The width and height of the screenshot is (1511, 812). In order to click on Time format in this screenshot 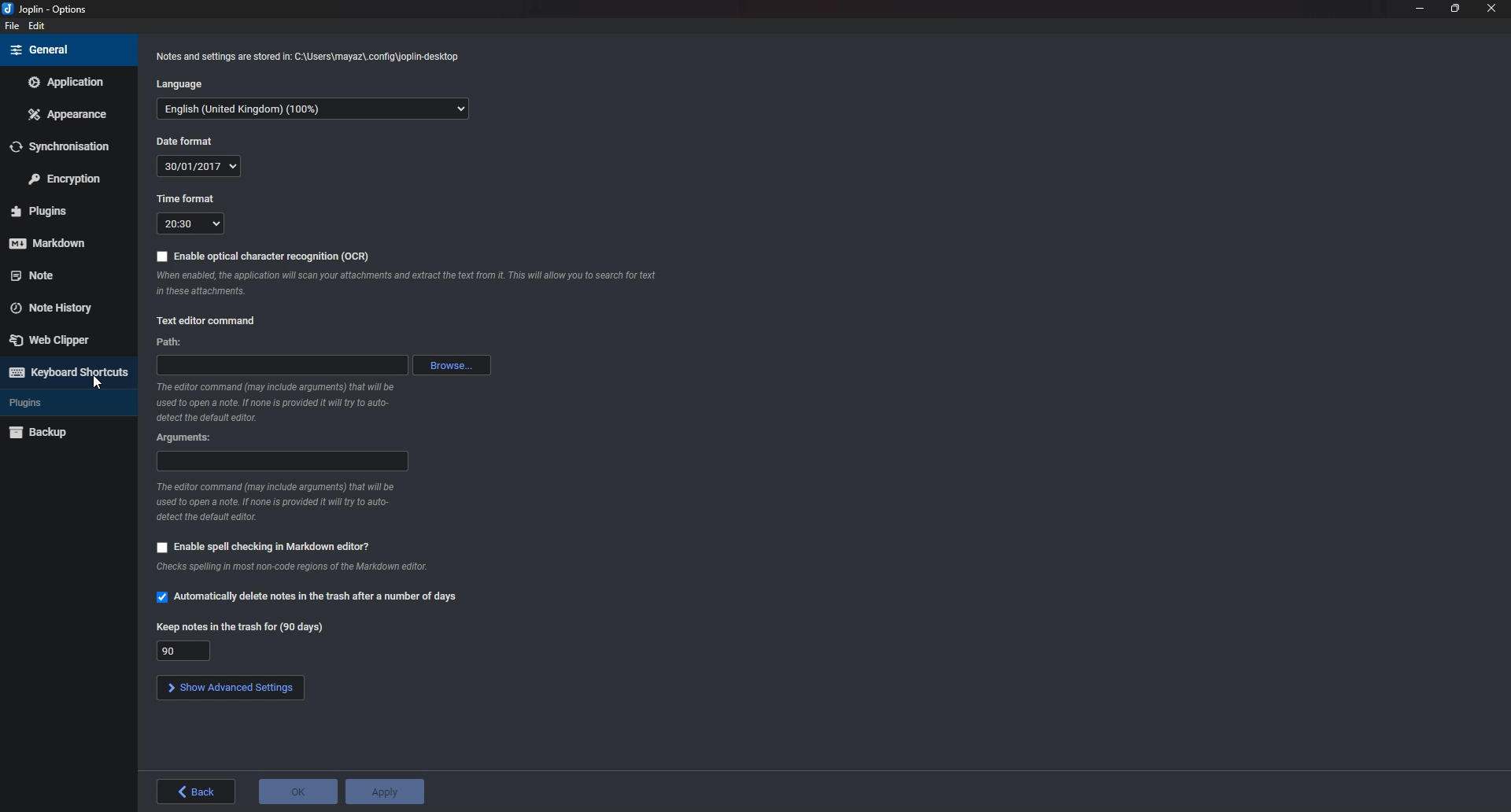, I will do `click(185, 197)`.